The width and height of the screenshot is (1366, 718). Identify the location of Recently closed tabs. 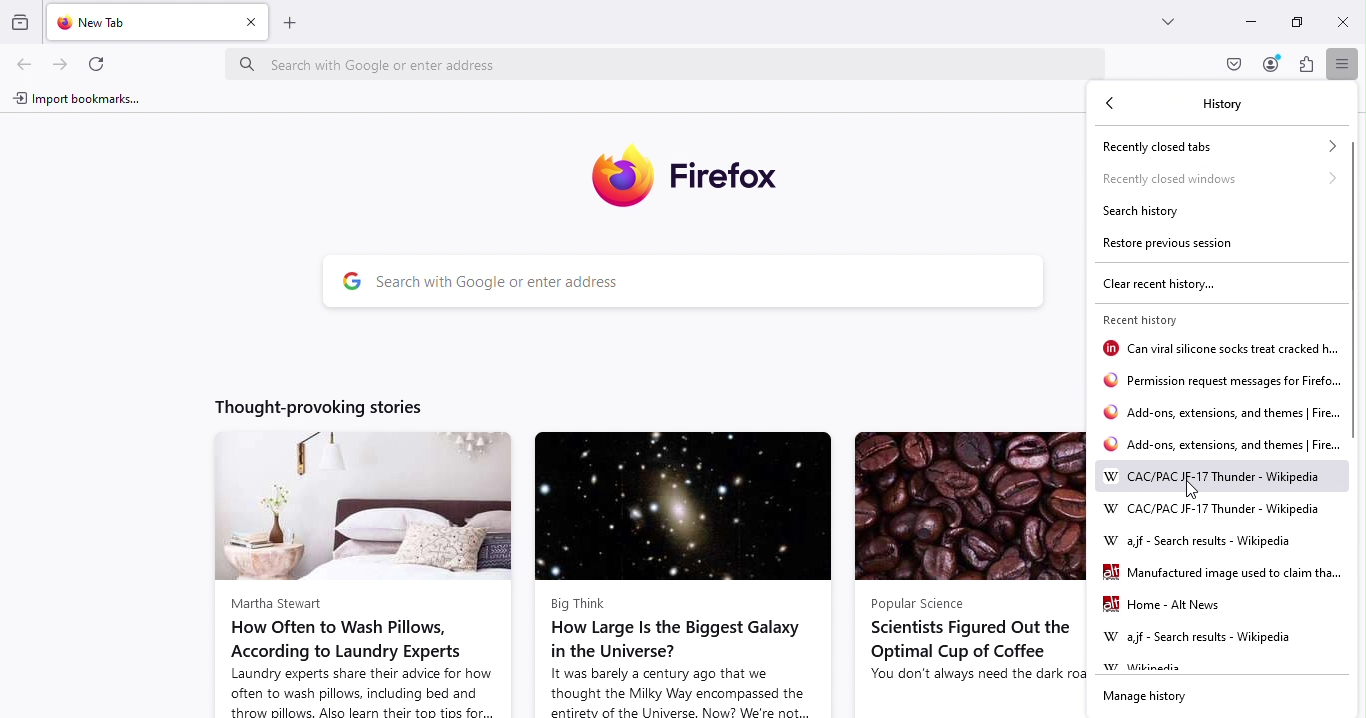
(1213, 146).